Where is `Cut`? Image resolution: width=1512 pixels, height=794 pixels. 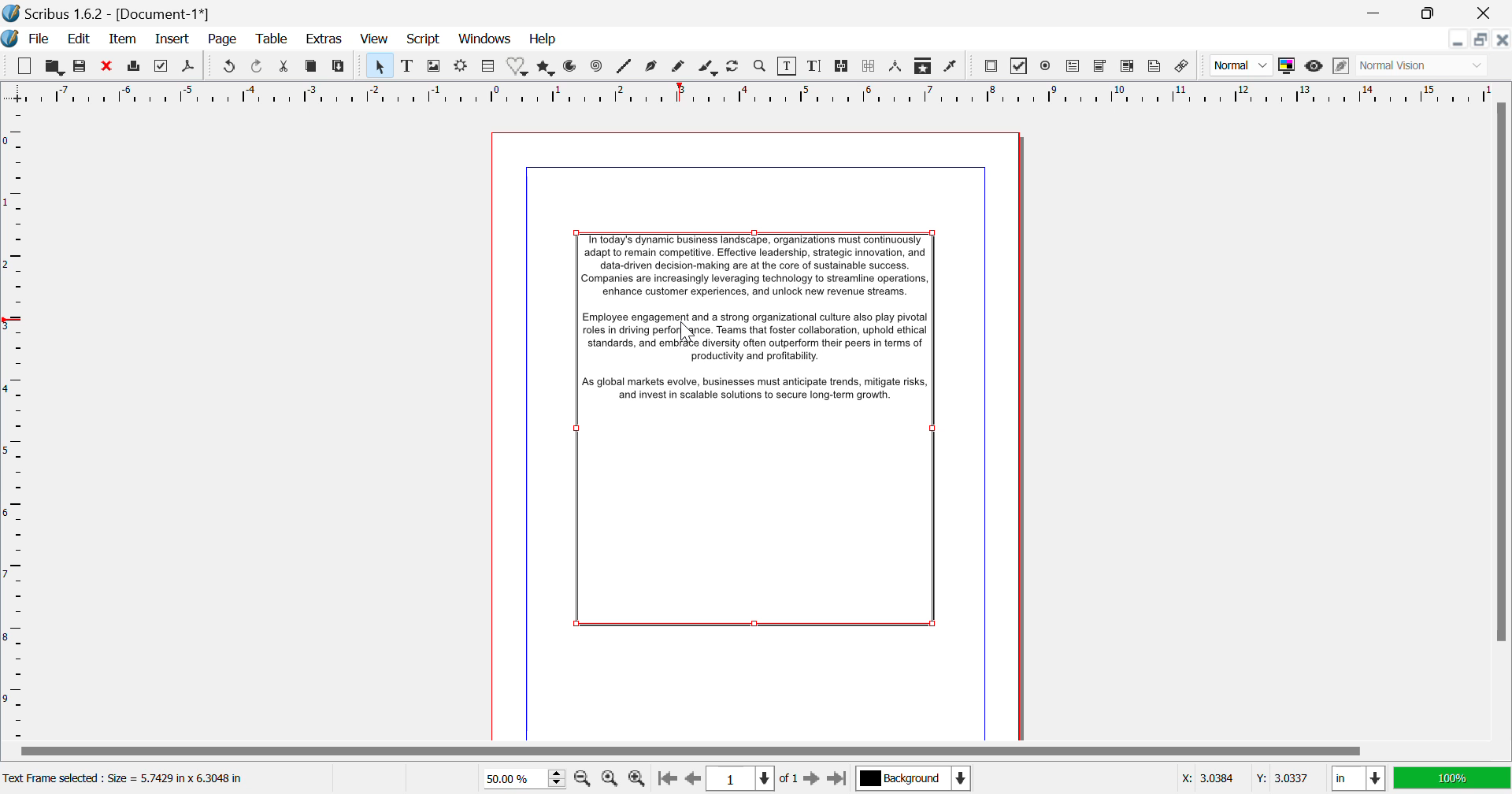 Cut is located at coordinates (287, 67).